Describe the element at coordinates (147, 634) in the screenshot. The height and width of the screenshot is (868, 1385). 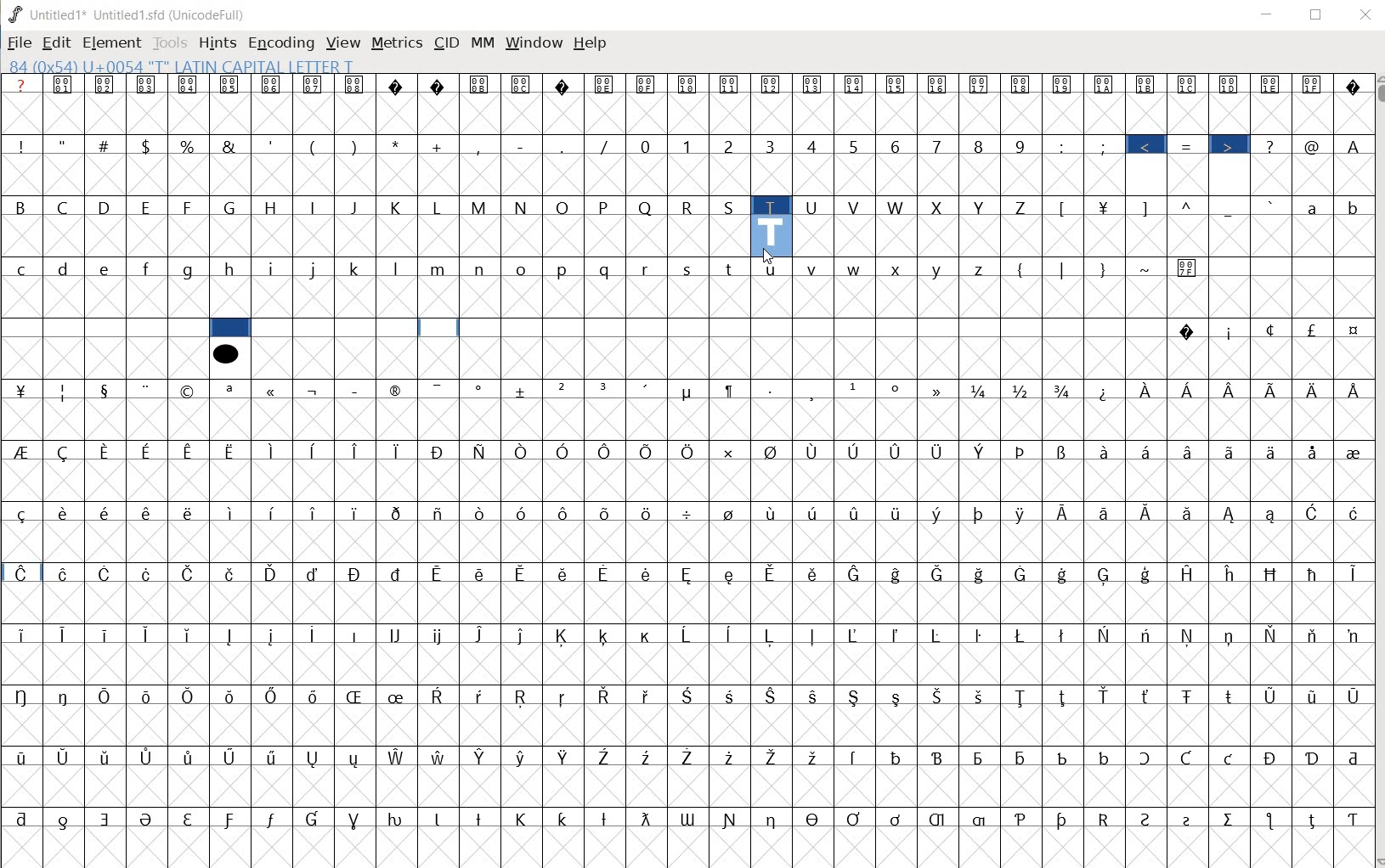
I see `Symbol` at that location.